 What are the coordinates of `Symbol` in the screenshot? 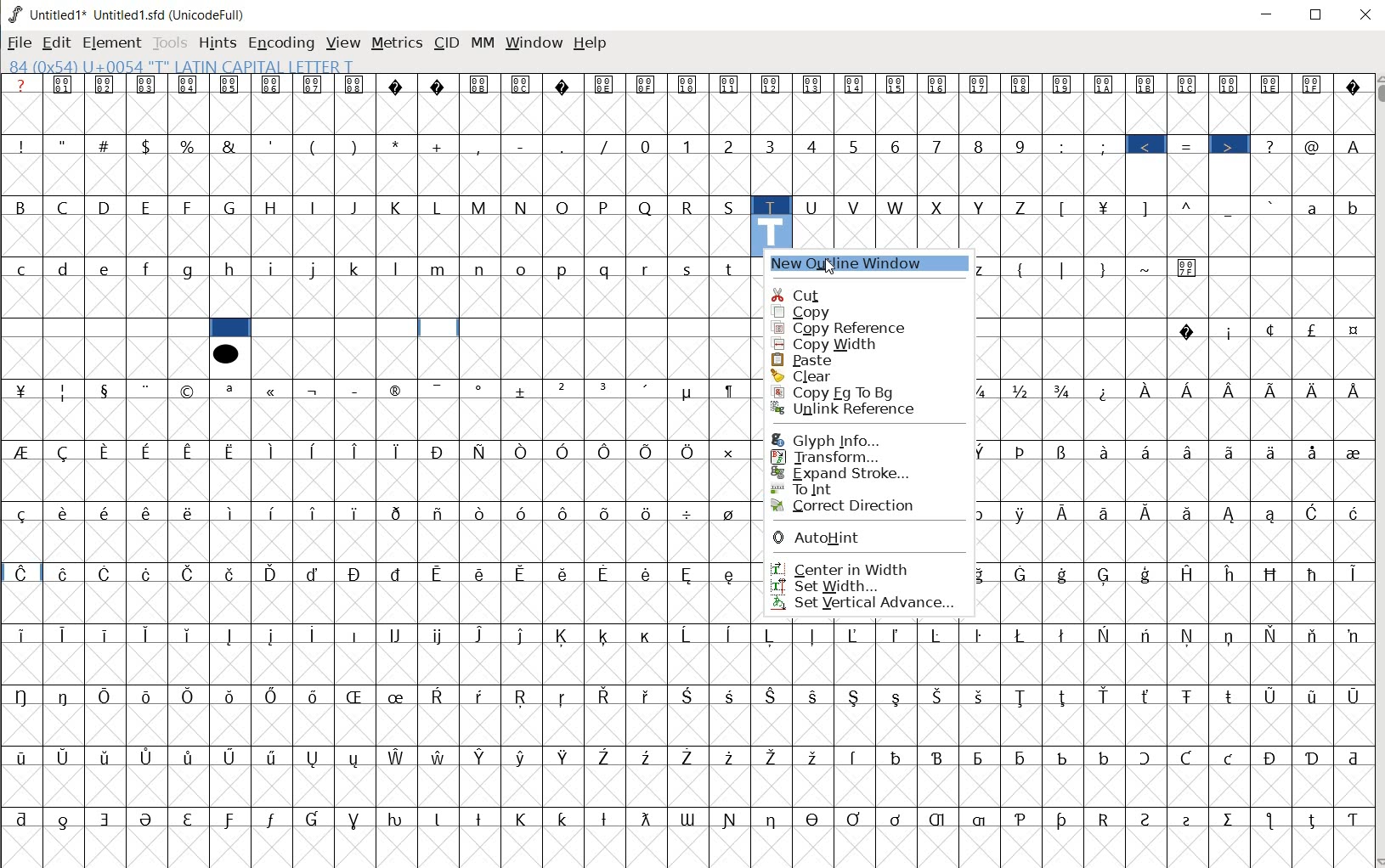 It's located at (898, 819).